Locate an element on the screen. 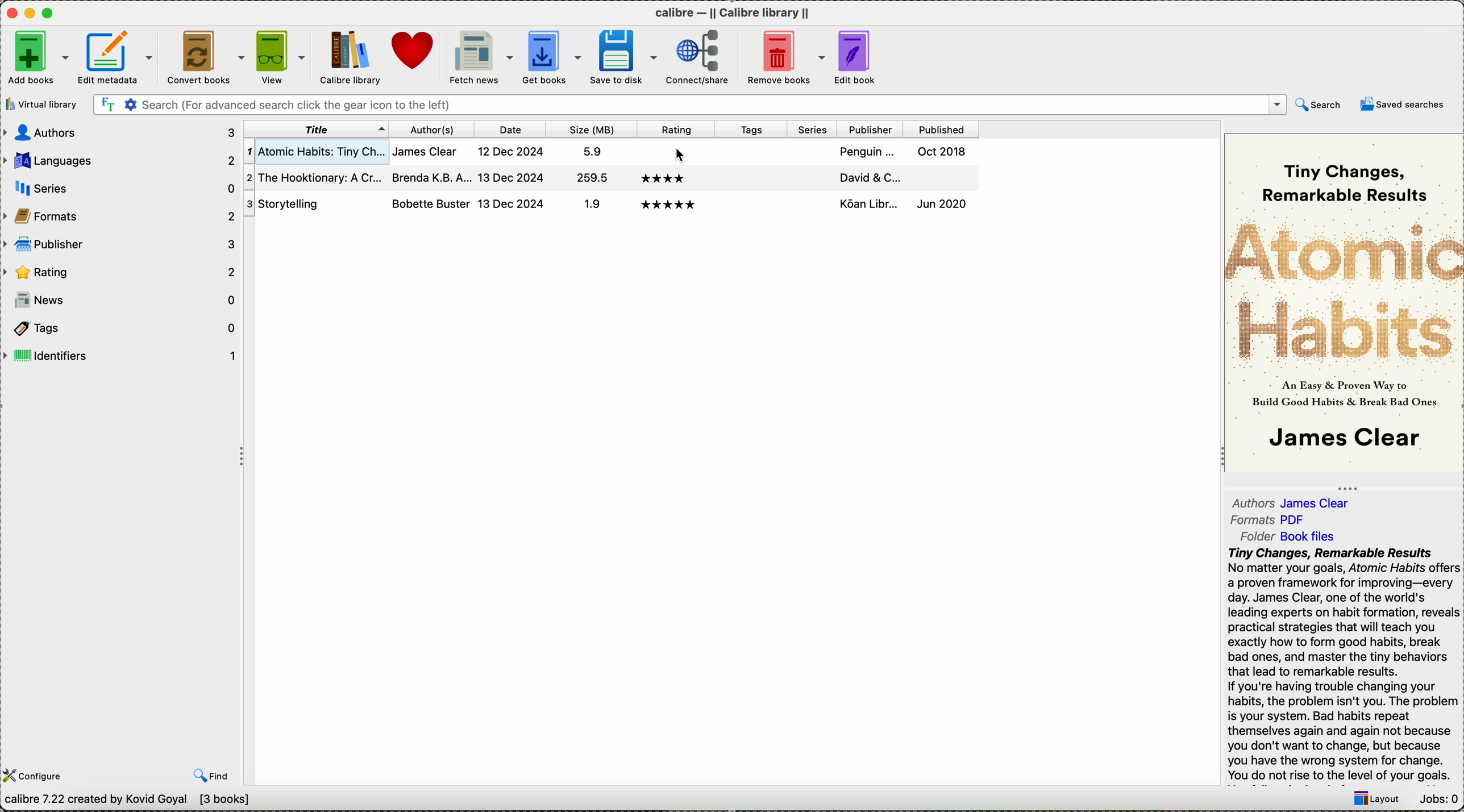  formats is located at coordinates (120, 215).